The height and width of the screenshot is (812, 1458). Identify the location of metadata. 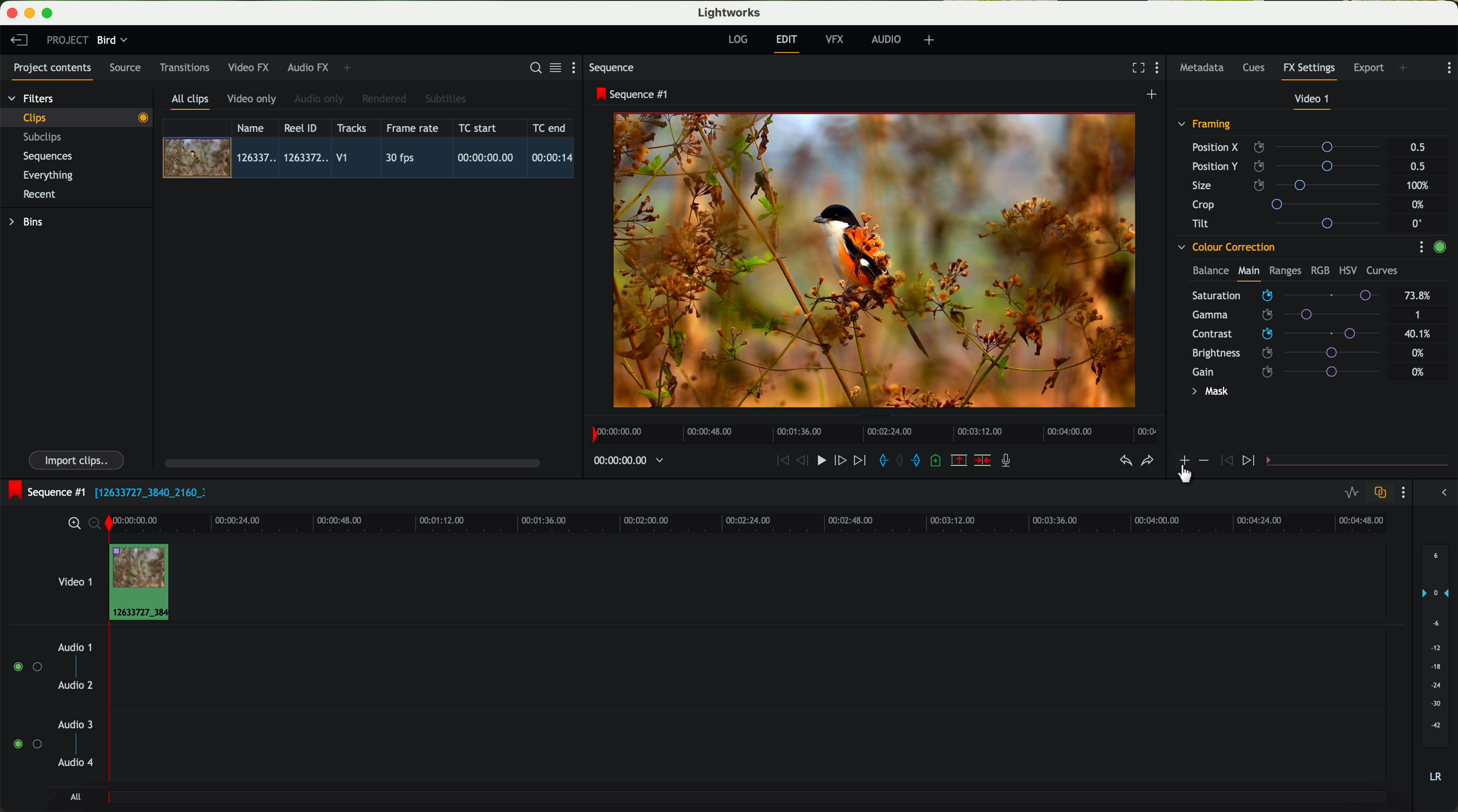
(1204, 68).